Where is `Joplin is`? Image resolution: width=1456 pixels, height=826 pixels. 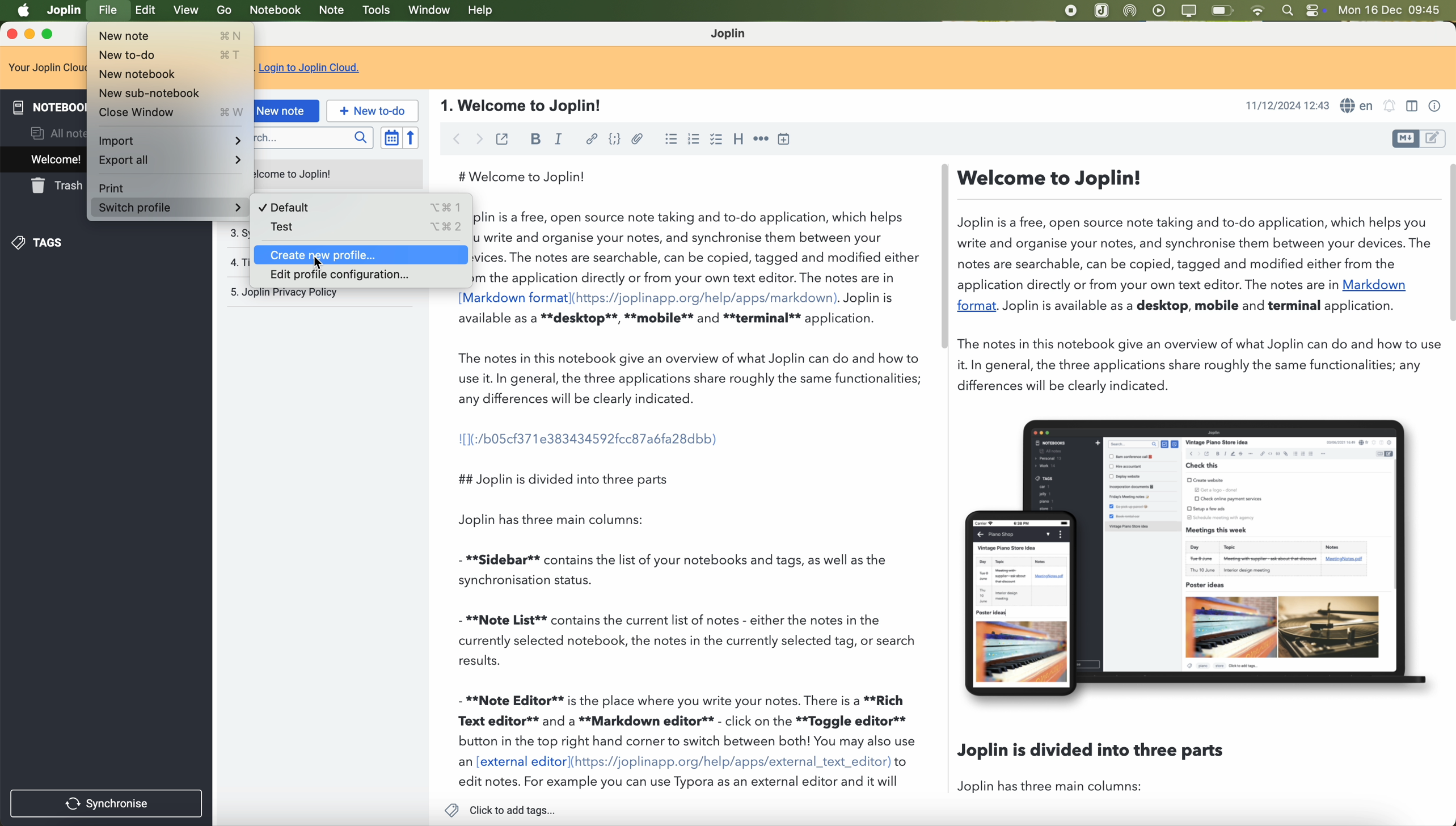 Joplin is is located at coordinates (870, 298).